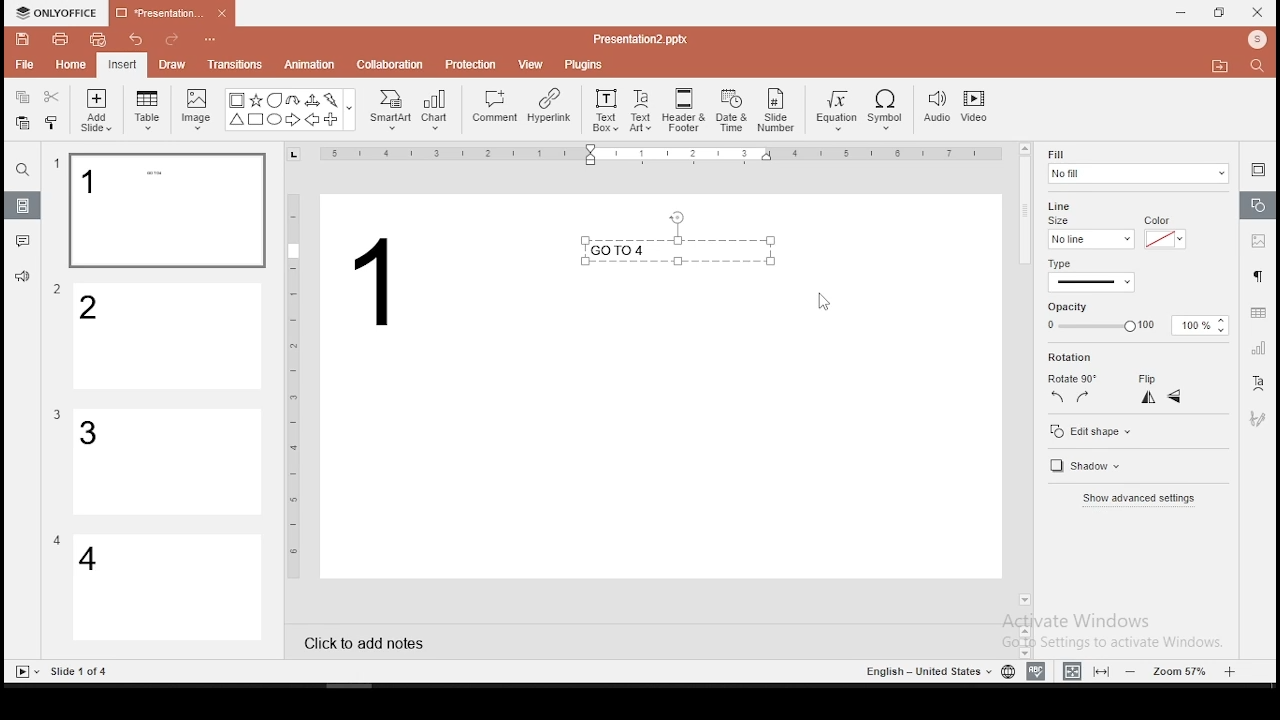 This screenshot has height=720, width=1280. Describe the element at coordinates (1007, 672) in the screenshot. I see `language` at that location.